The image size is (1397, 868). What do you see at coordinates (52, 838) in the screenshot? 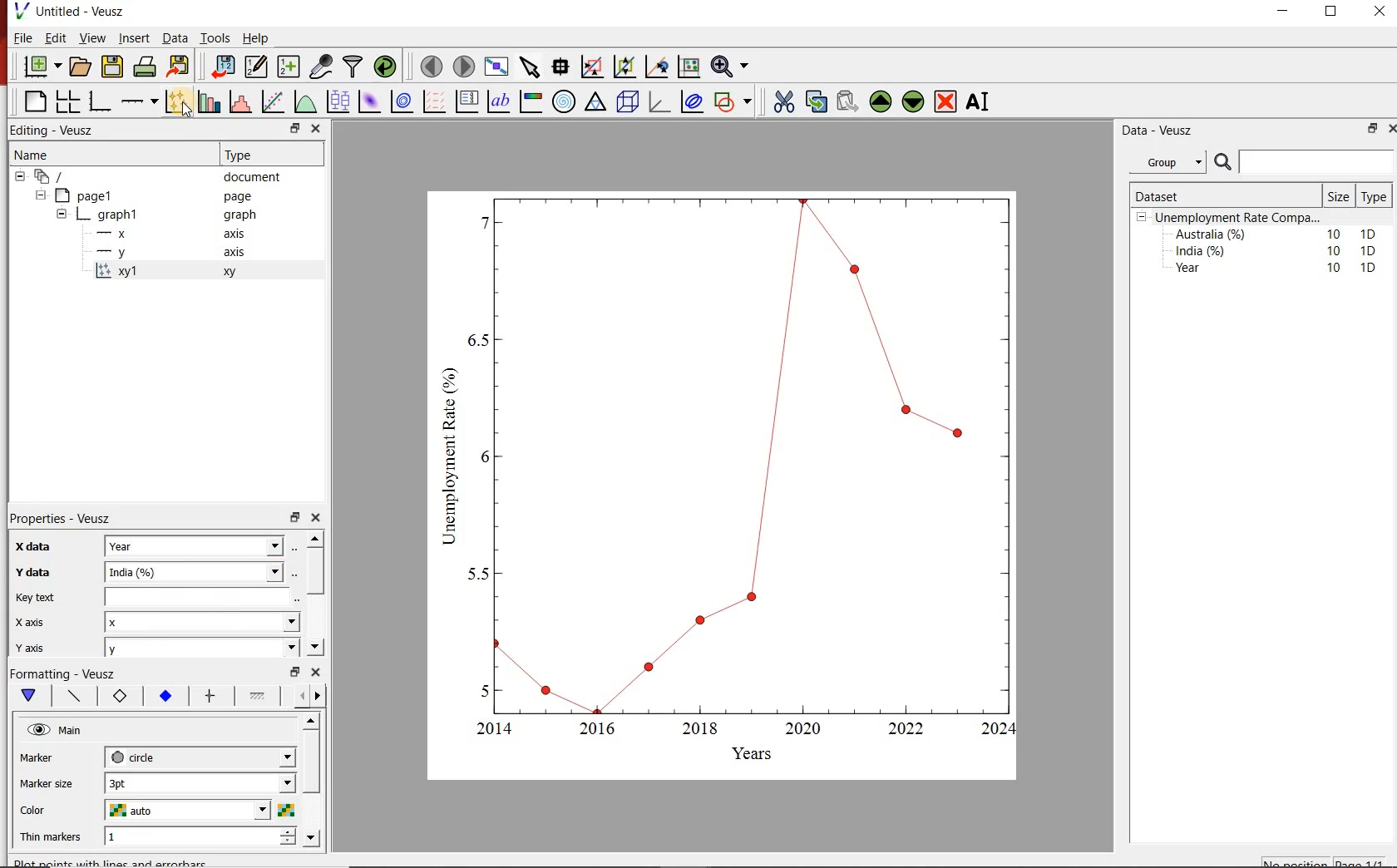
I see `Thin markers` at bounding box center [52, 838].